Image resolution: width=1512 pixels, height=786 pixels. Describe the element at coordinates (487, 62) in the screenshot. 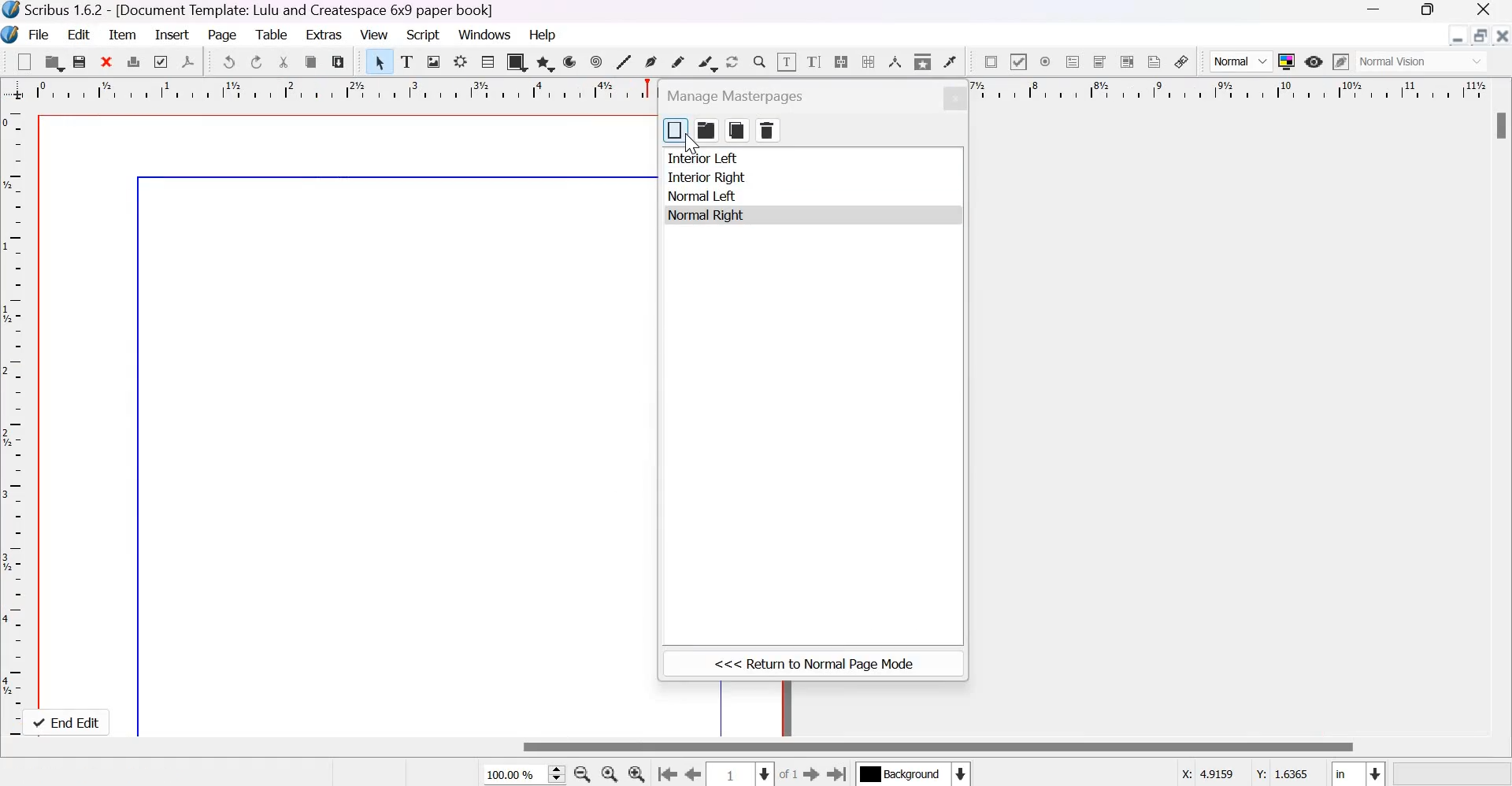

I see `Table` at that location.